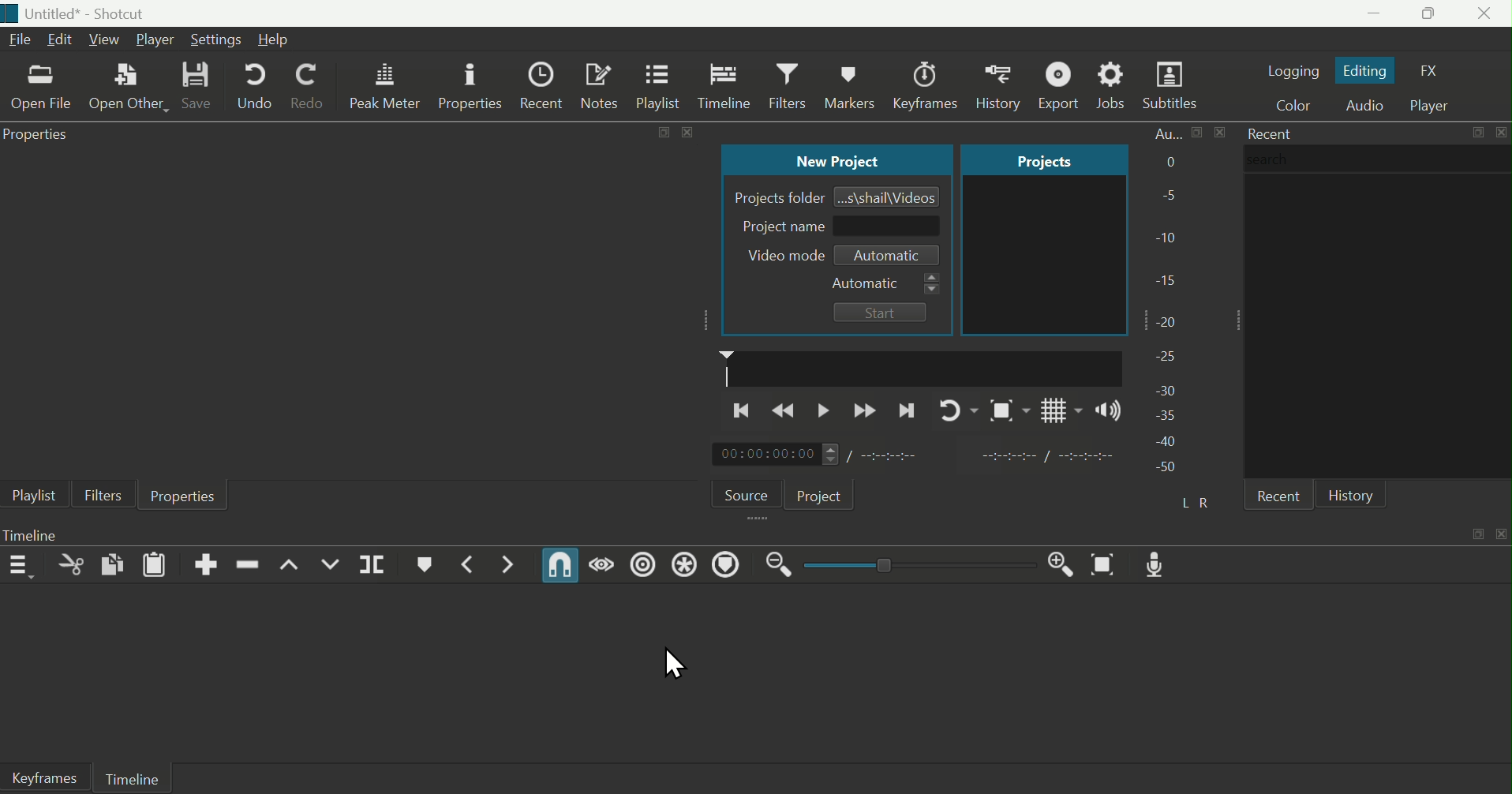 This screenshot has width=1512, height=794. I want to click on -20, so click(1171, 320).